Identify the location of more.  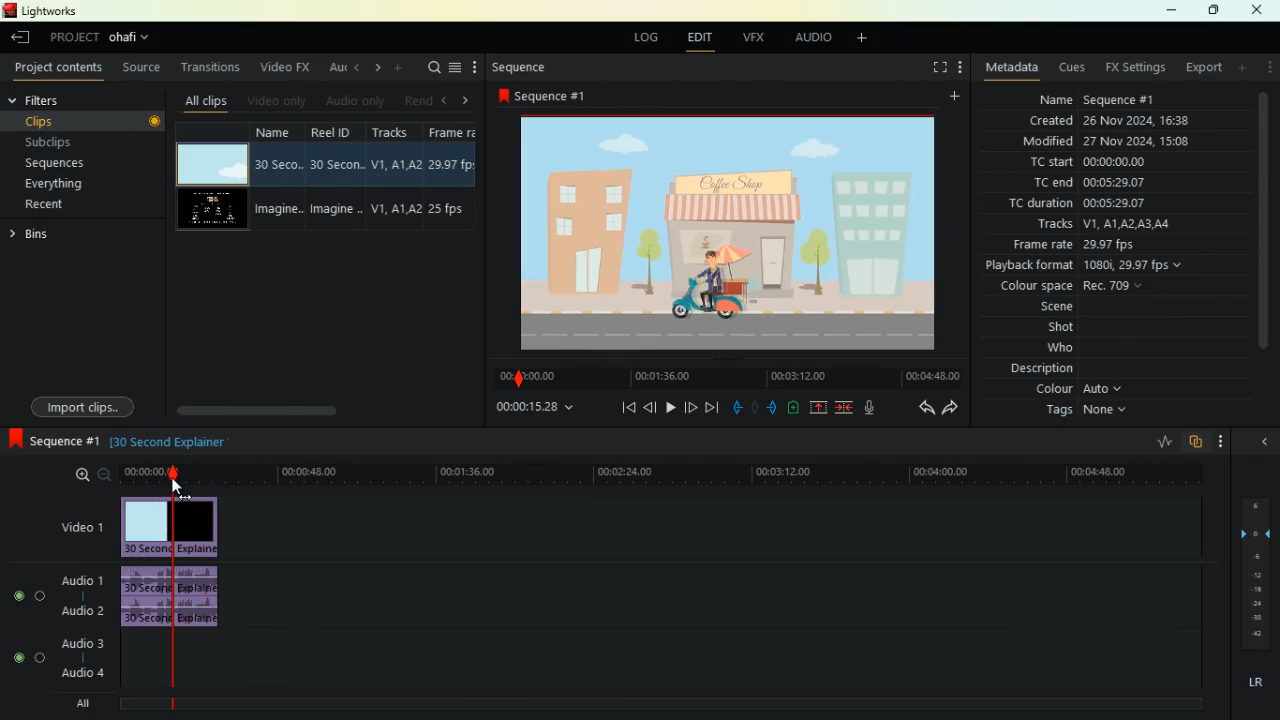
(476, 67).